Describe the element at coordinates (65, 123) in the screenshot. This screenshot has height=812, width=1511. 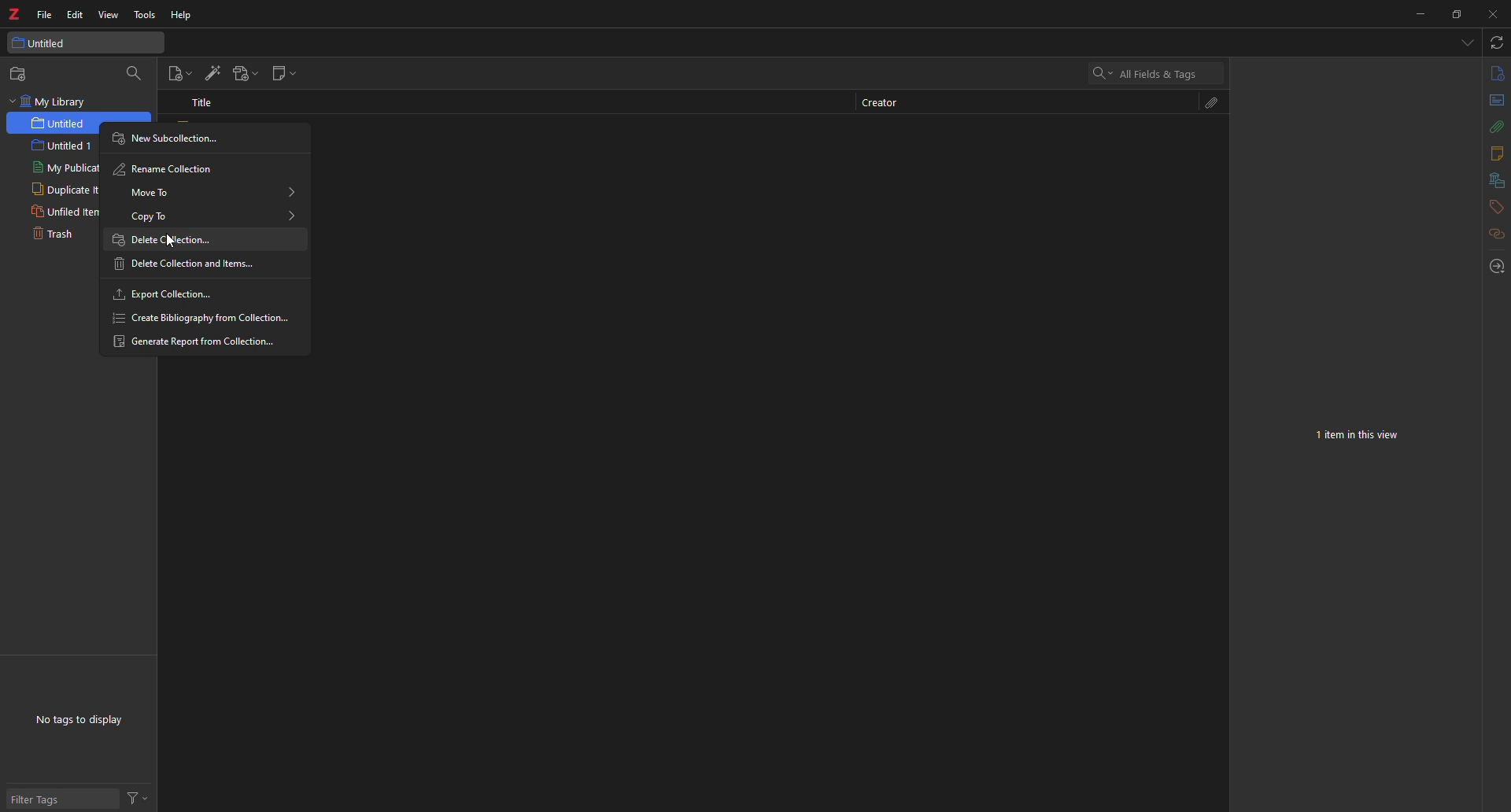
I see `untitled` at that location.